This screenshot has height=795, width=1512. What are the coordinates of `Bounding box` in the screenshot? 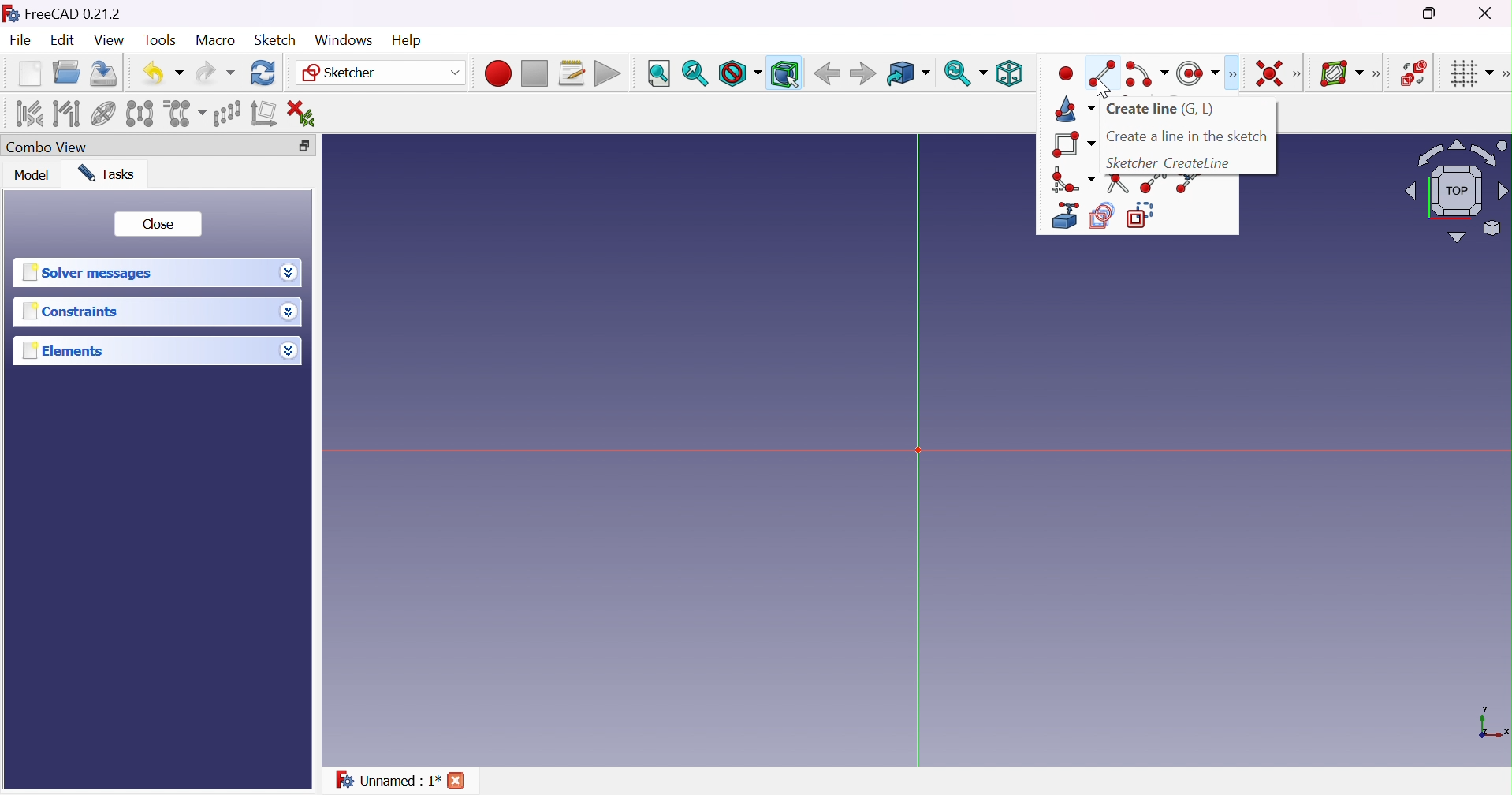 It's located at (784, 73).